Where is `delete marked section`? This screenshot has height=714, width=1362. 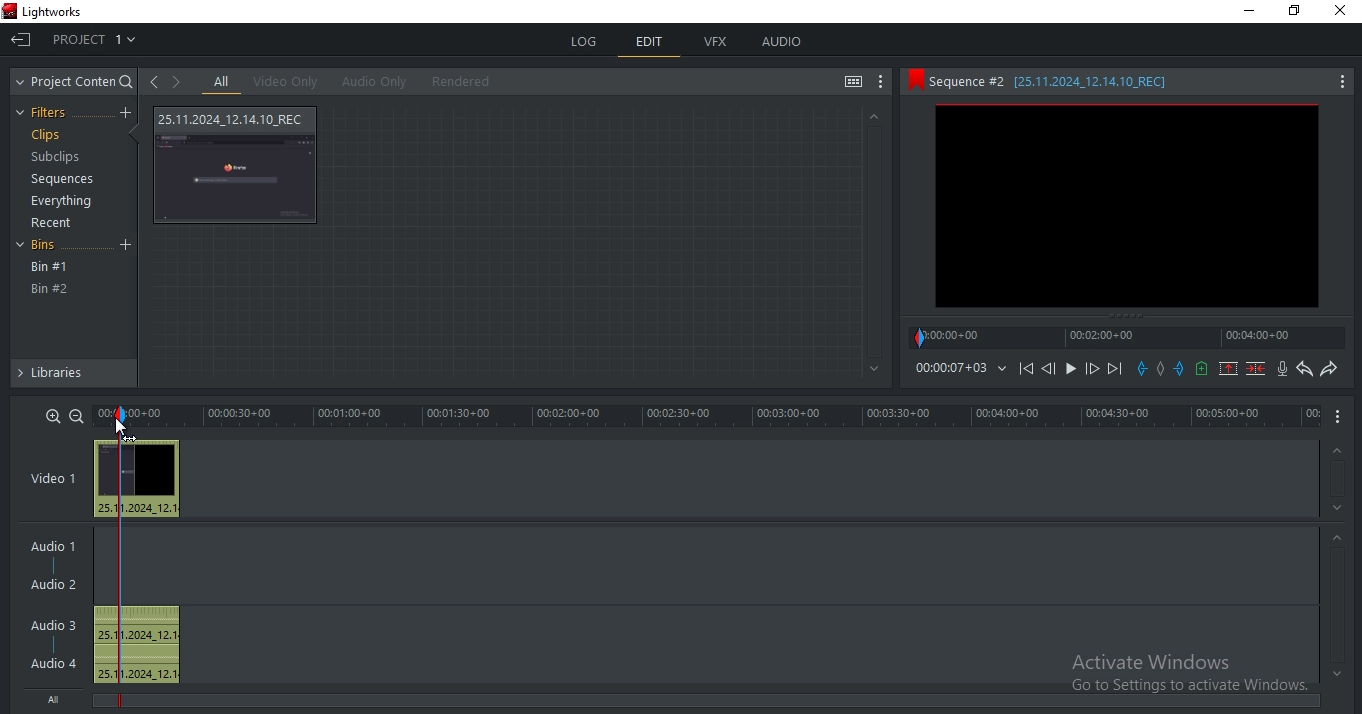 delete marked section is located at coordinates (1256, 369).